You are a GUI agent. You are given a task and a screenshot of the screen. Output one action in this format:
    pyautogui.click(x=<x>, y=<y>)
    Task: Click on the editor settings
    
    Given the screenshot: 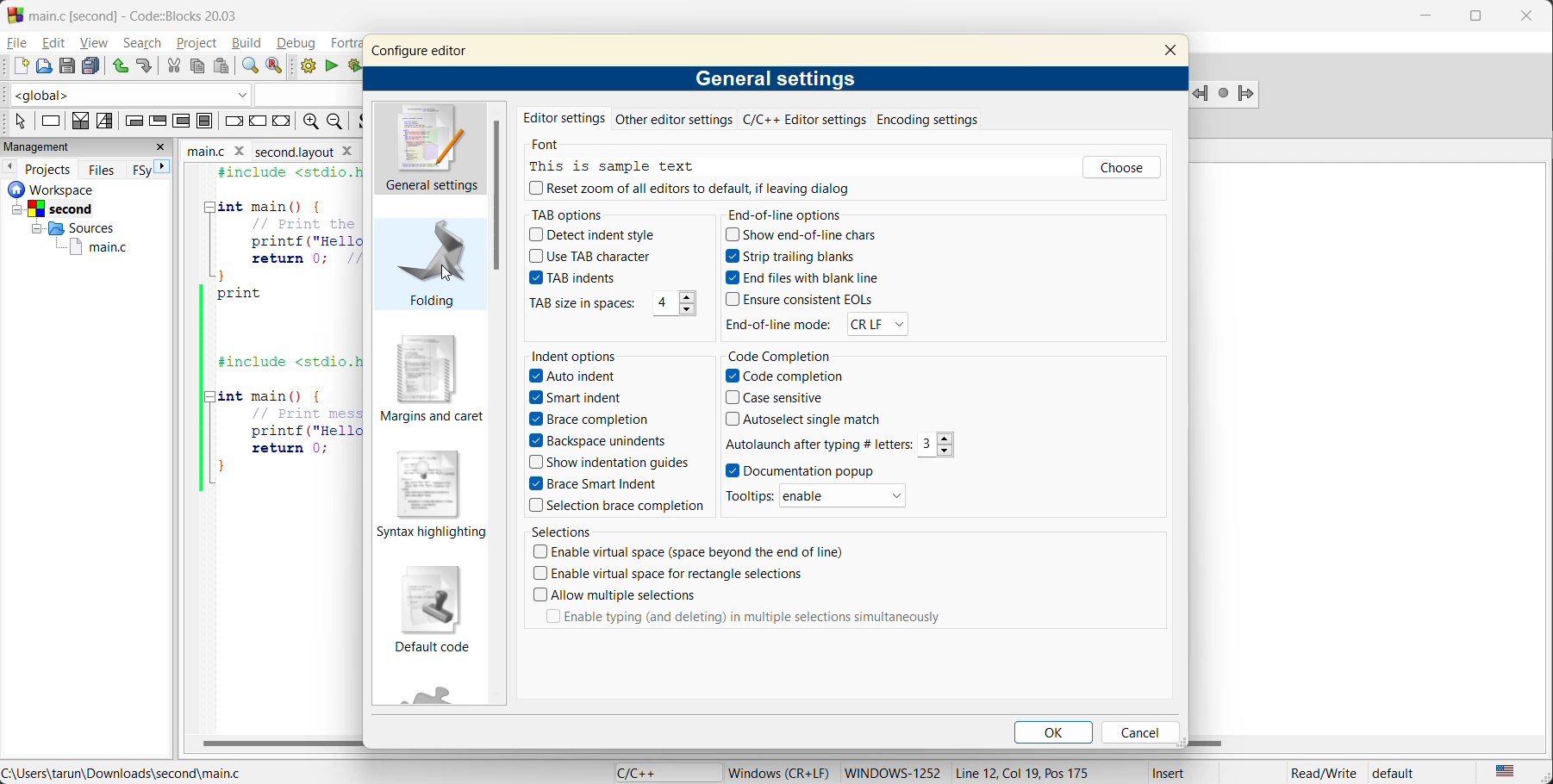 What is the action you would take?
    pyautogui.click(x=566, y=119)
    